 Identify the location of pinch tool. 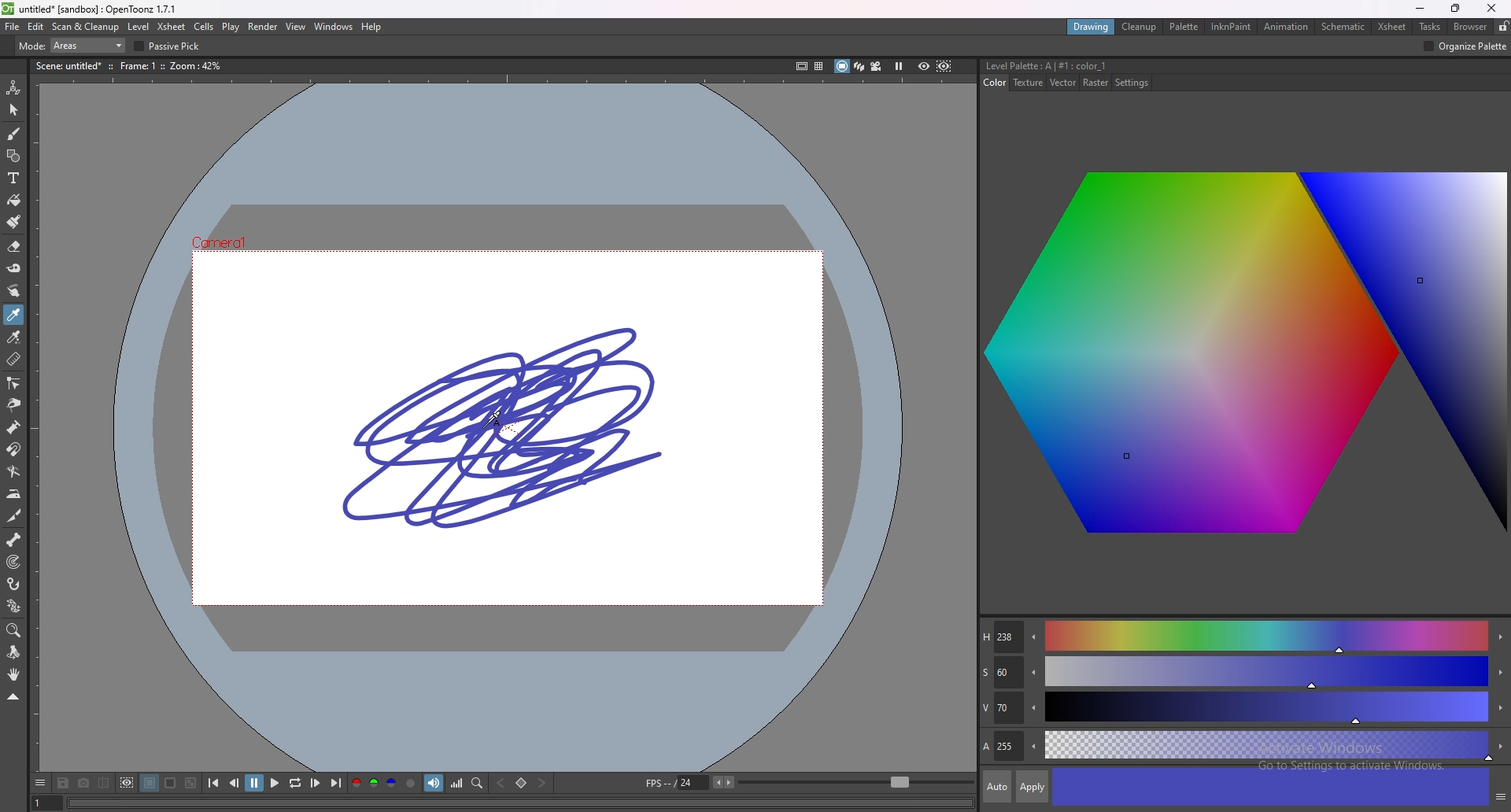
(14, 404).